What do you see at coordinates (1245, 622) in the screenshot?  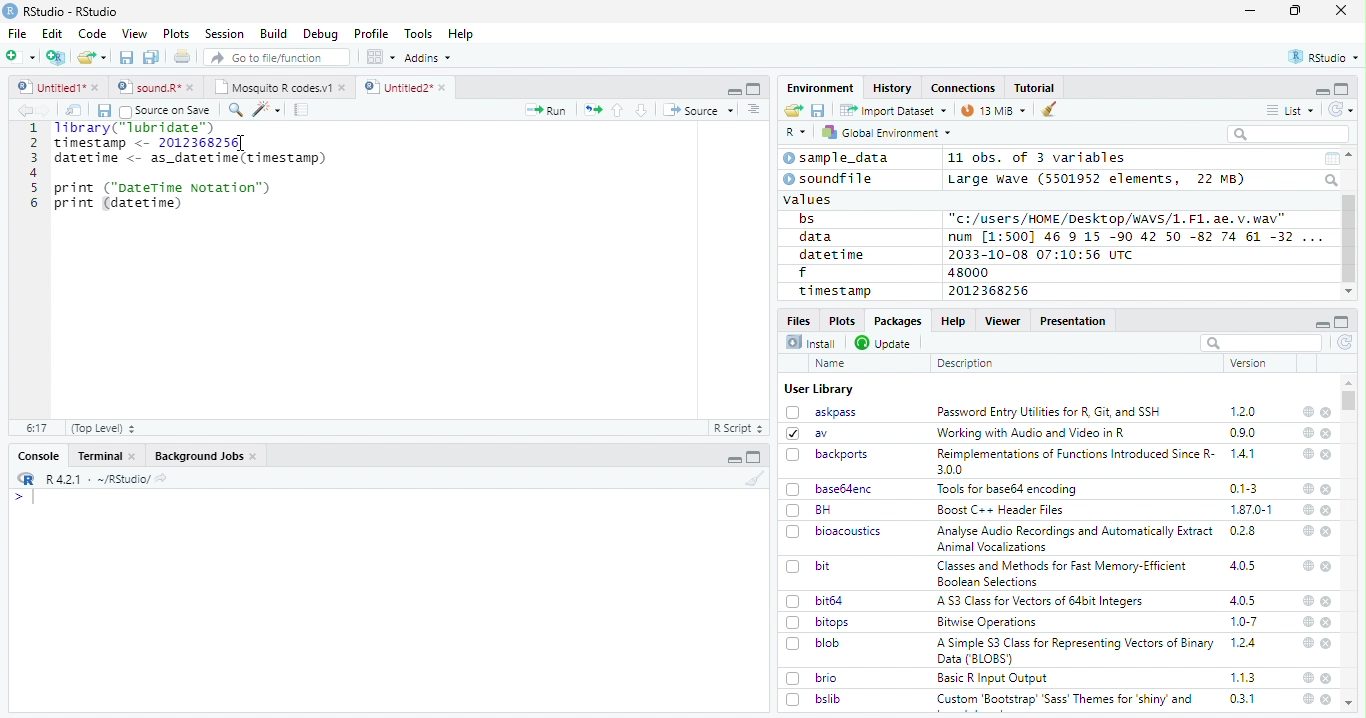 I see `1.0-7` at bounding box center [1245, 622].